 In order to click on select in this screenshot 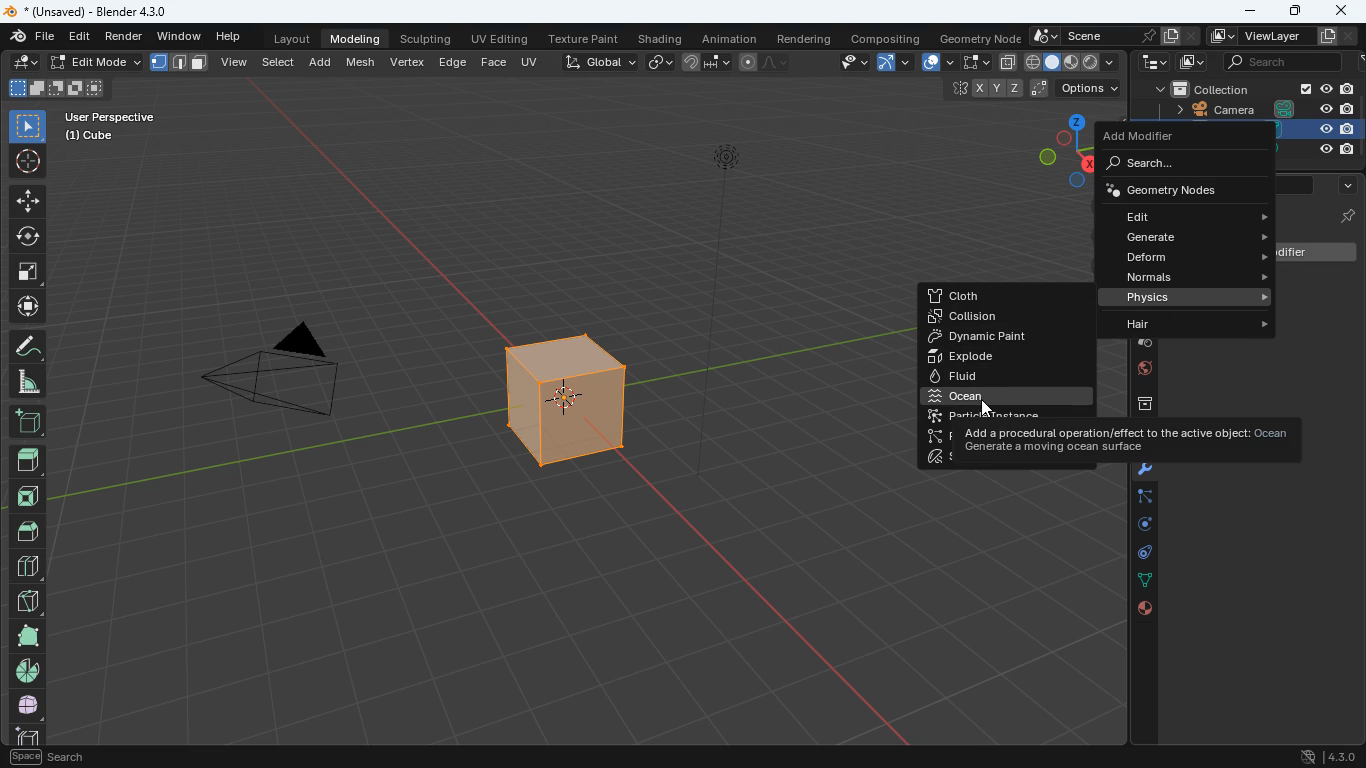, I will do `click(975, 63)`.